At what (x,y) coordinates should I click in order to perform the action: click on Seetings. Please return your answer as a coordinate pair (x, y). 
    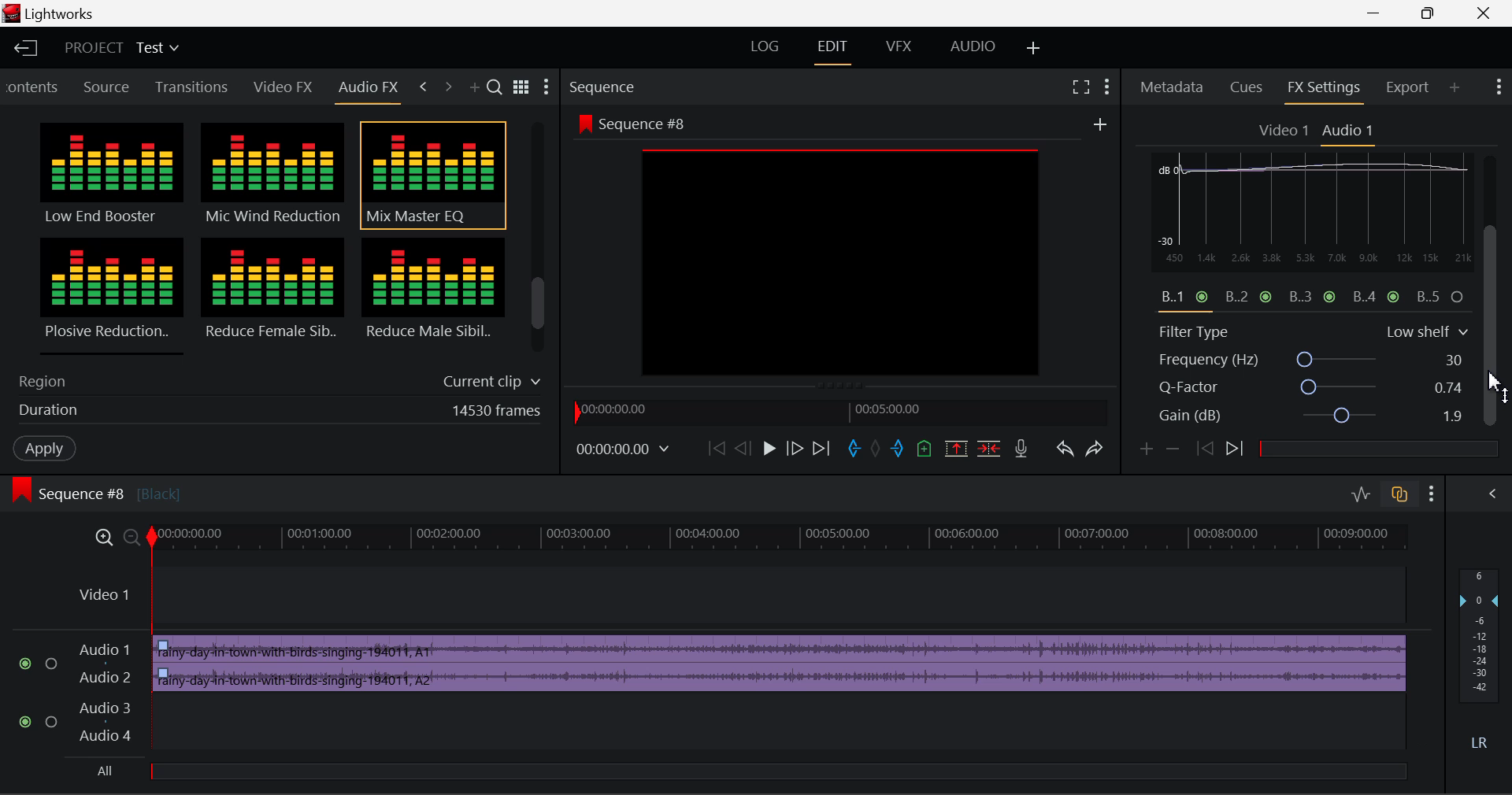
    Looking at the image, I should click on (1470, 167).